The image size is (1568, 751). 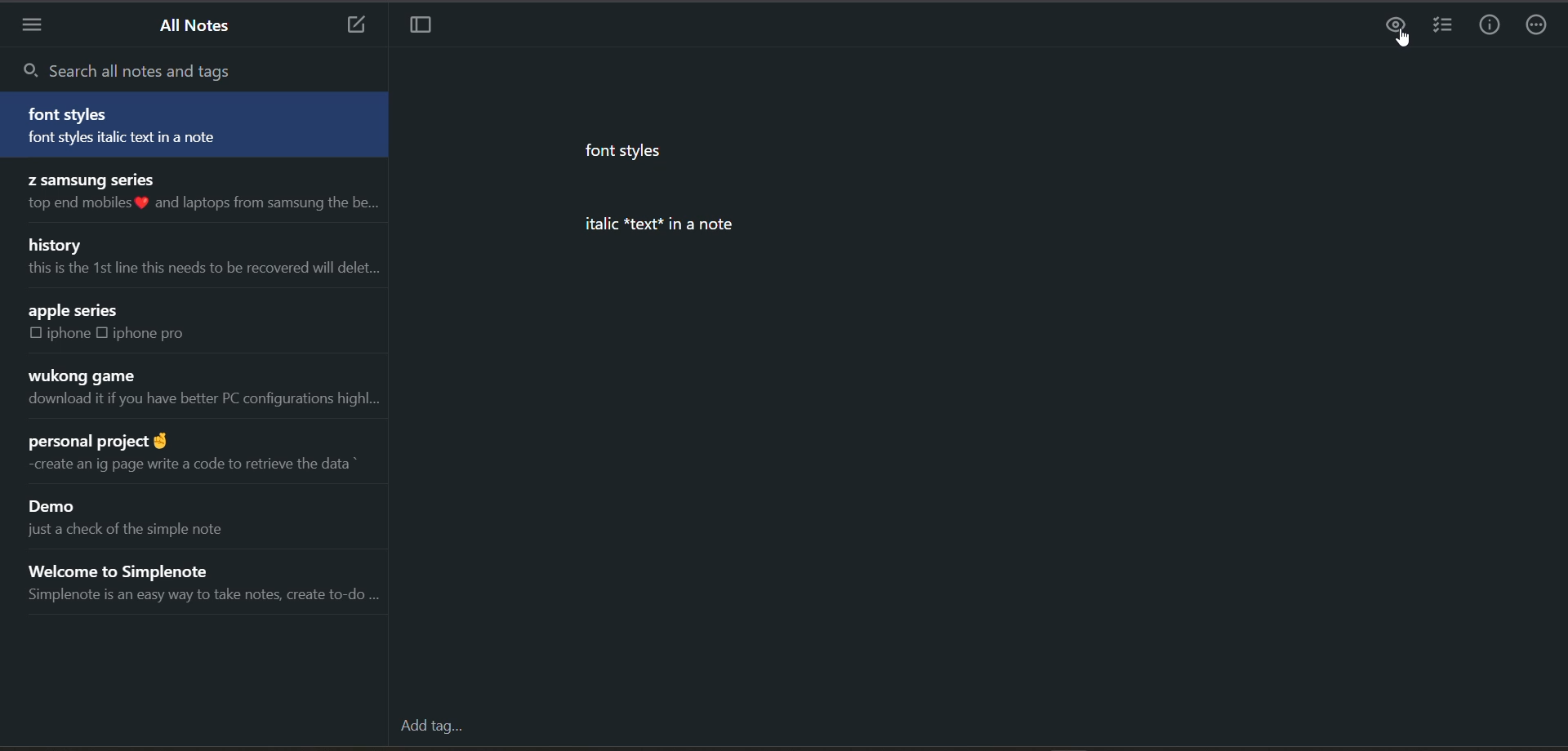 I want to click on insert checklist, so click(x=1443, y=26).